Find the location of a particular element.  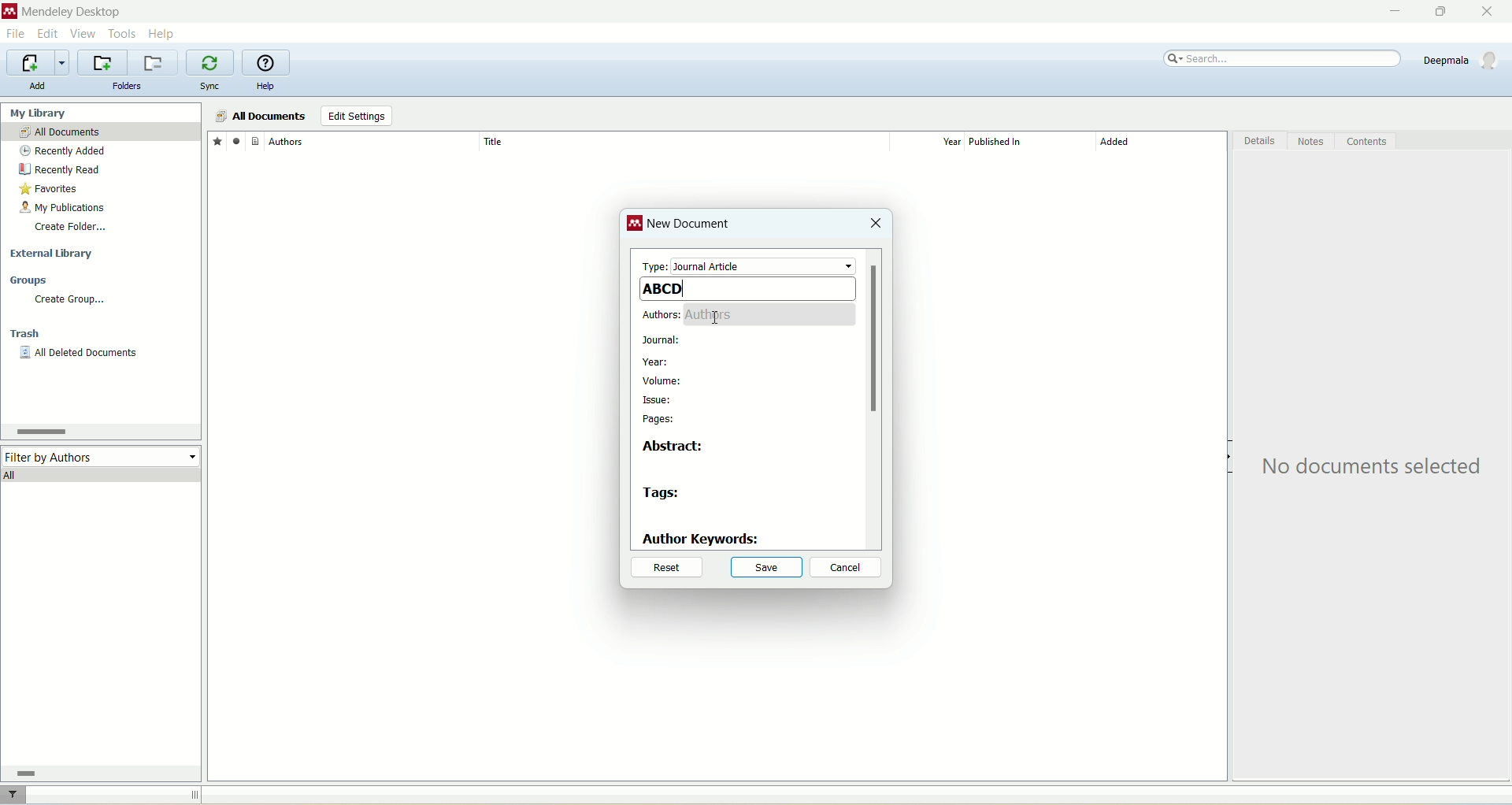

year is located at coordinates (655, 363).